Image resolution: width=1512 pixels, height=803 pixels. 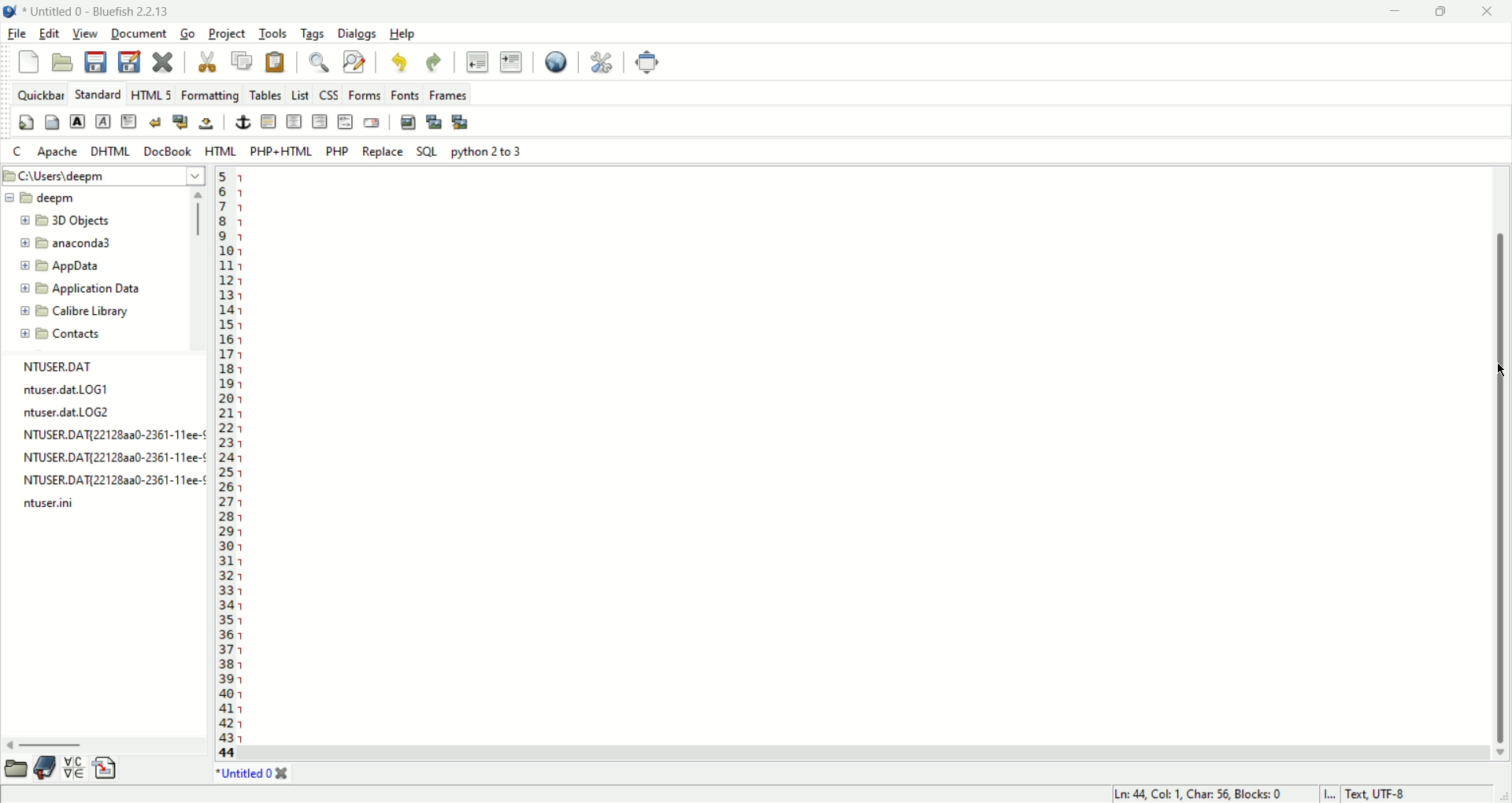 What do you see at coordinates (863, 457) in the screenshot?
I see `editor` at bounding box center [863, 457].